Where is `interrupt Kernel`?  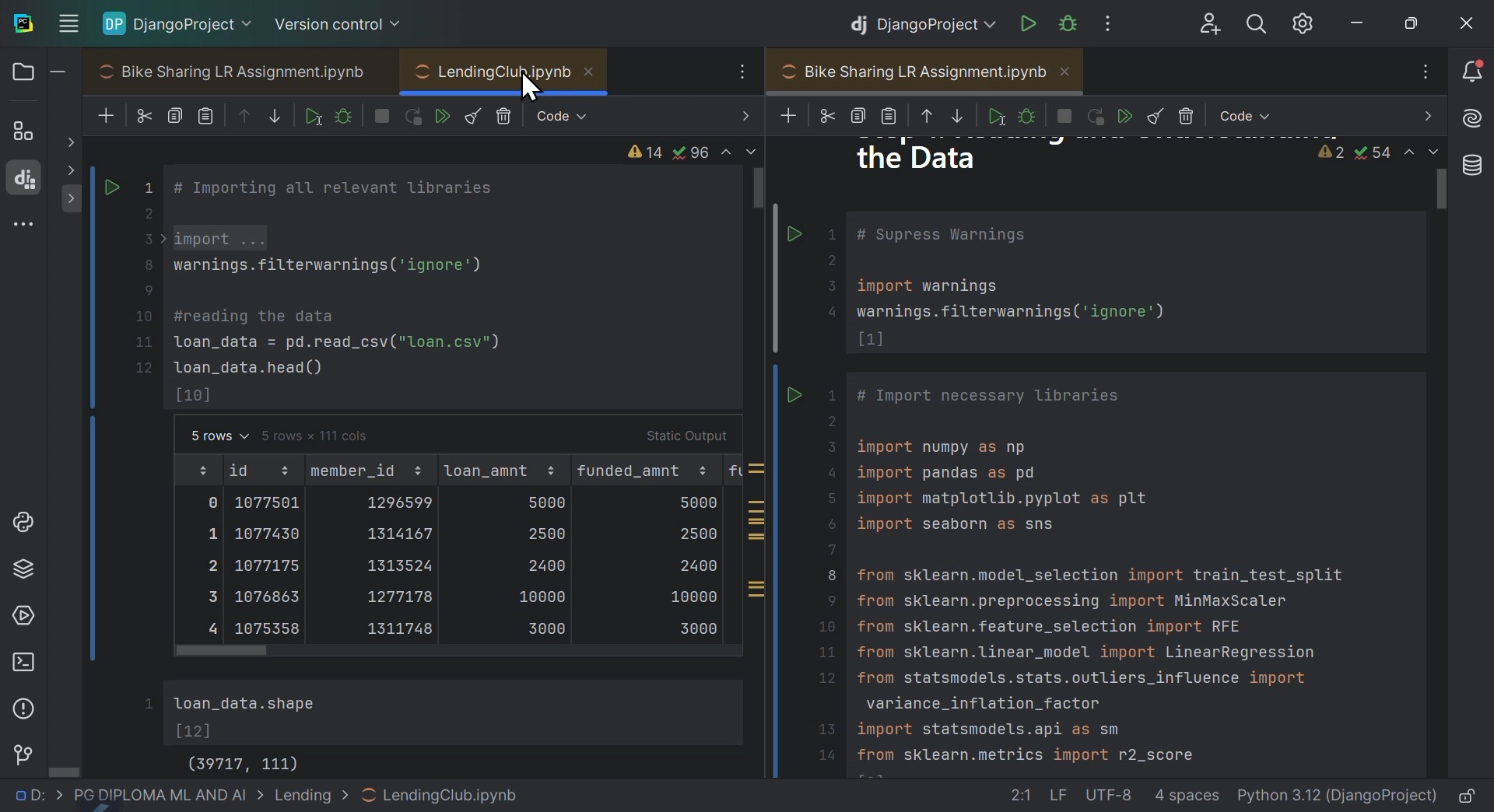 interrupt Kernel is located at coordinates (381, 115).